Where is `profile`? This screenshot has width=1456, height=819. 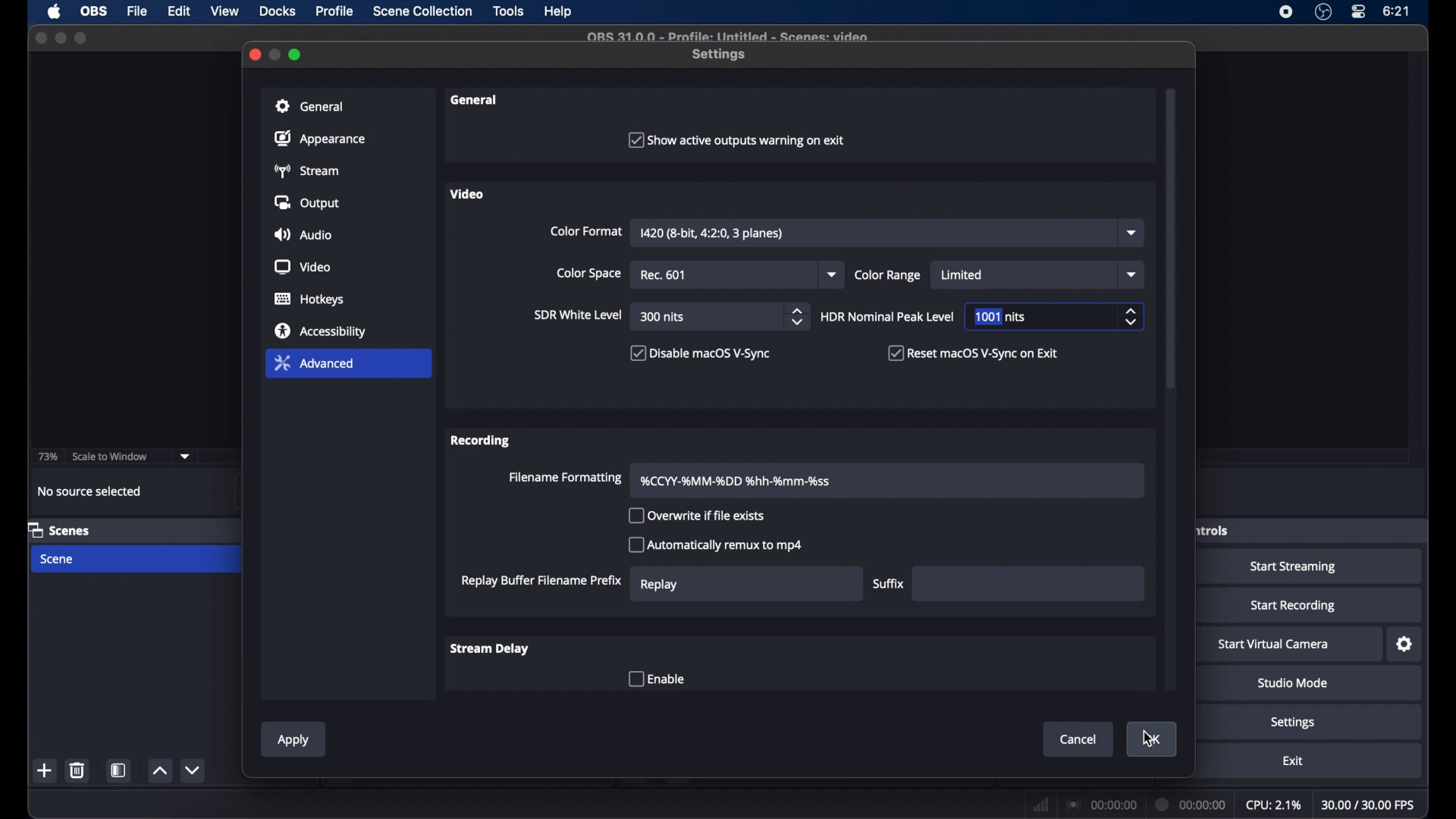
profile is located at coordinates (336, 11).